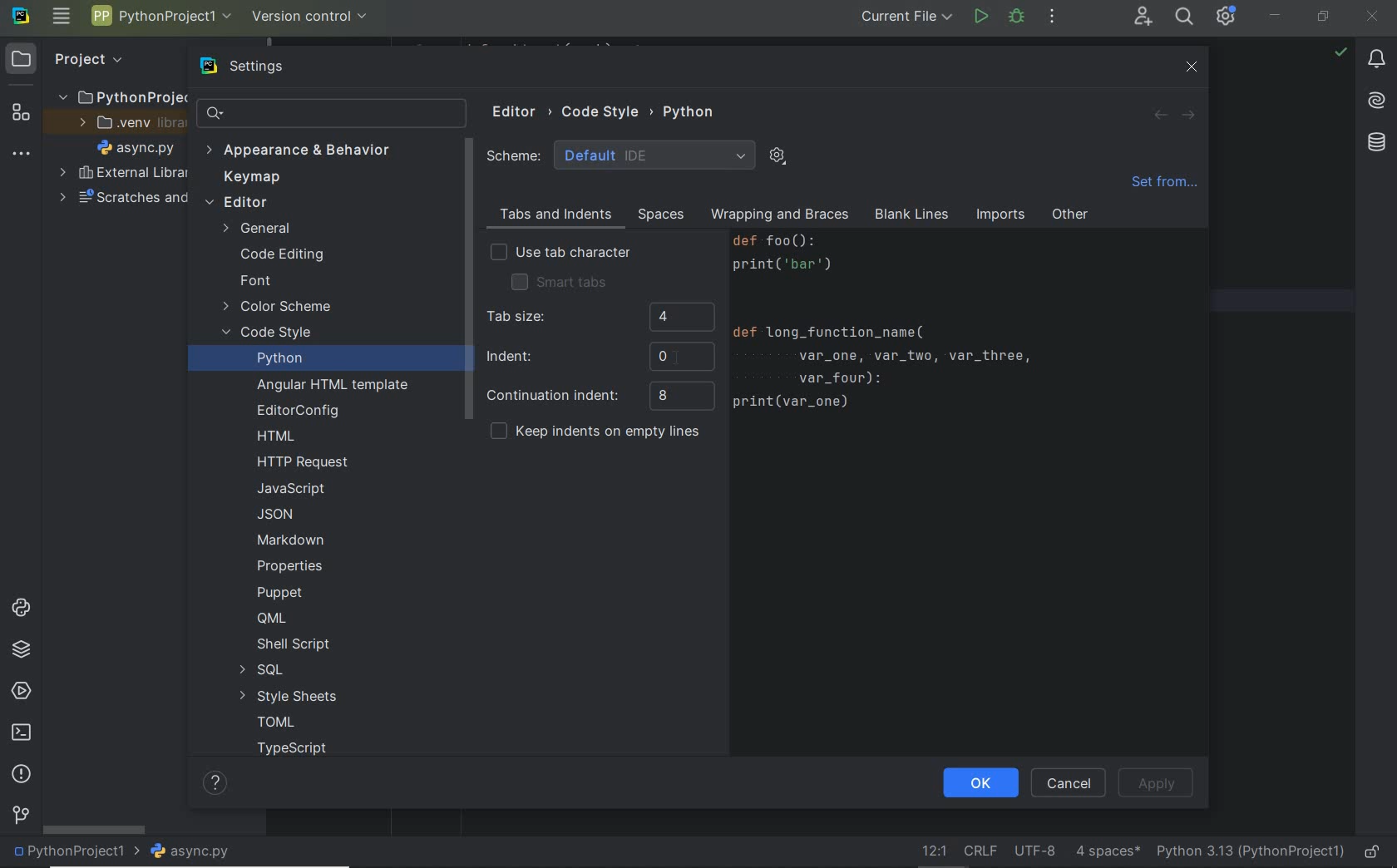 The width and height of the screenshot is (1397, 868). I want to click on tab size 4, so click(598, 318).